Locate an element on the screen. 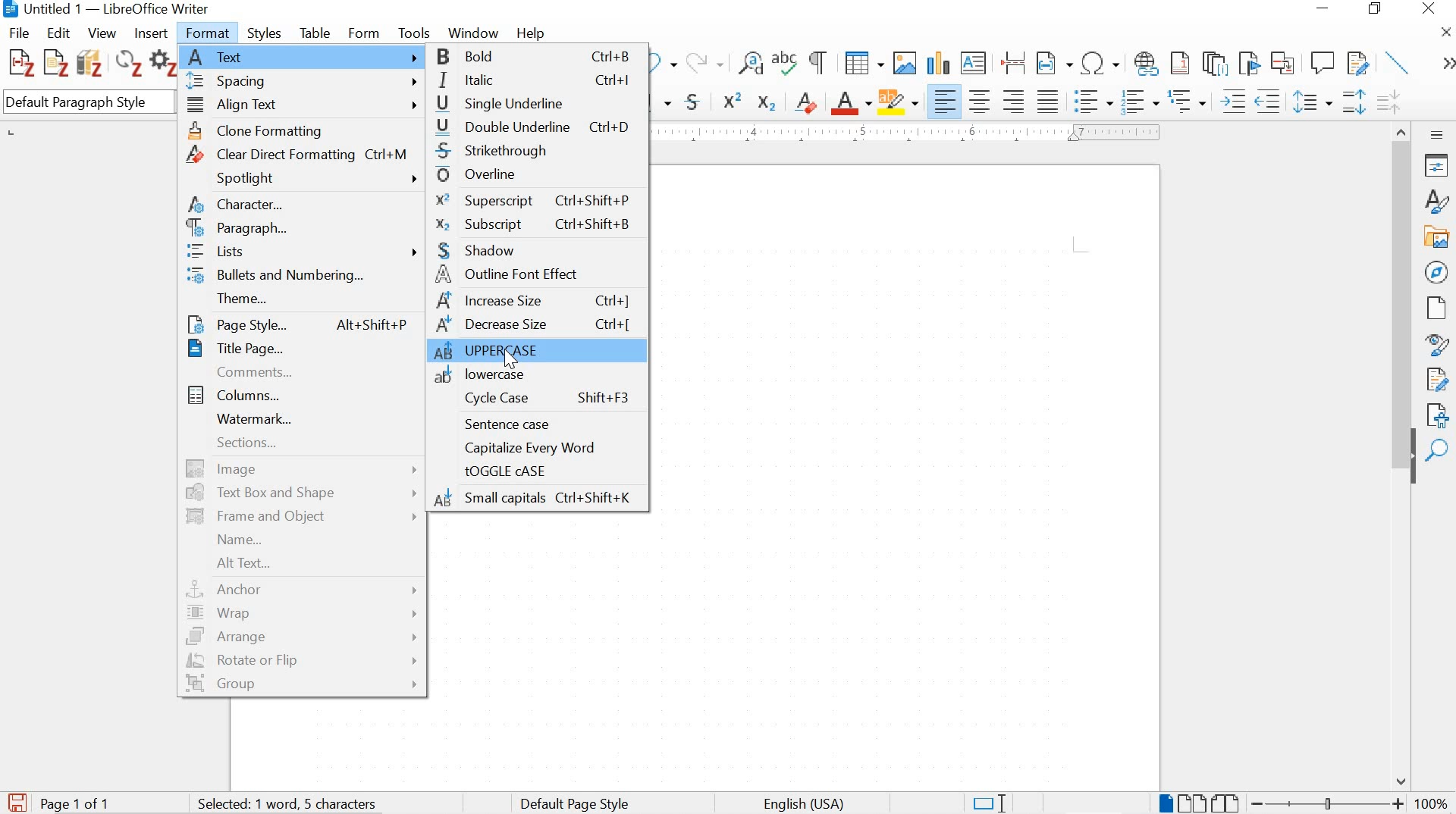  toggle case is located at coordinates (538, 472).